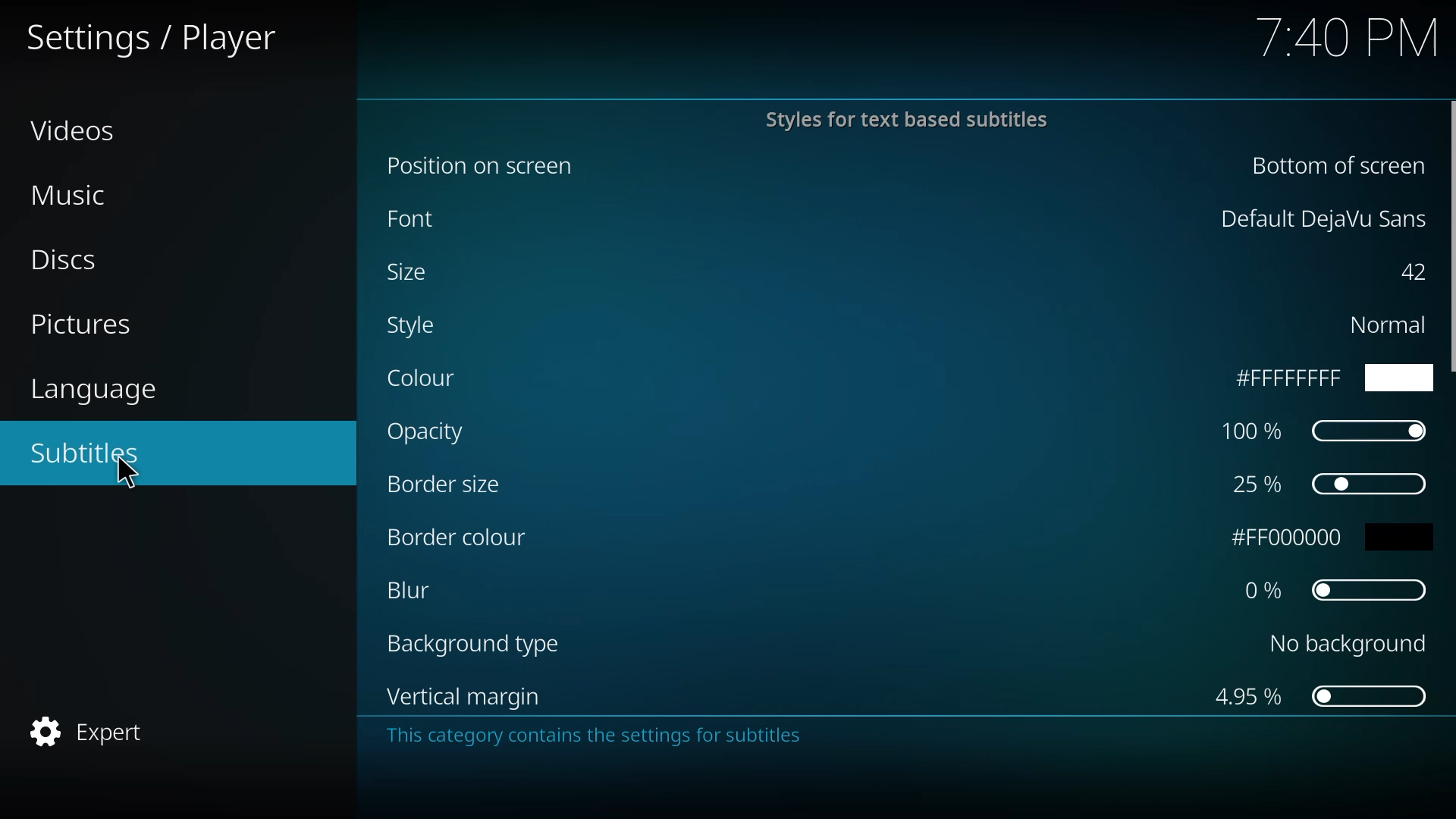 Image resolution: width=1456 pixels, height=819 pixels. I want to click on border color, so click(458, 538).